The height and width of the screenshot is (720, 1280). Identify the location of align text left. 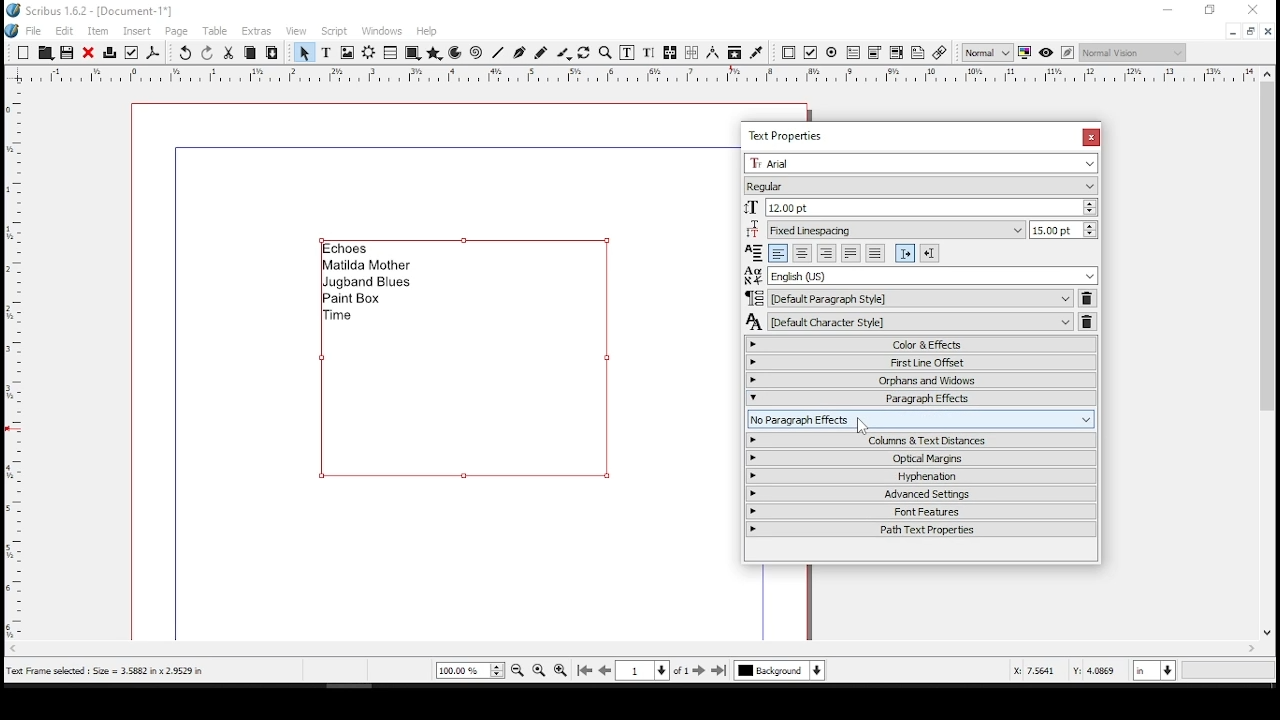
(776, 253).